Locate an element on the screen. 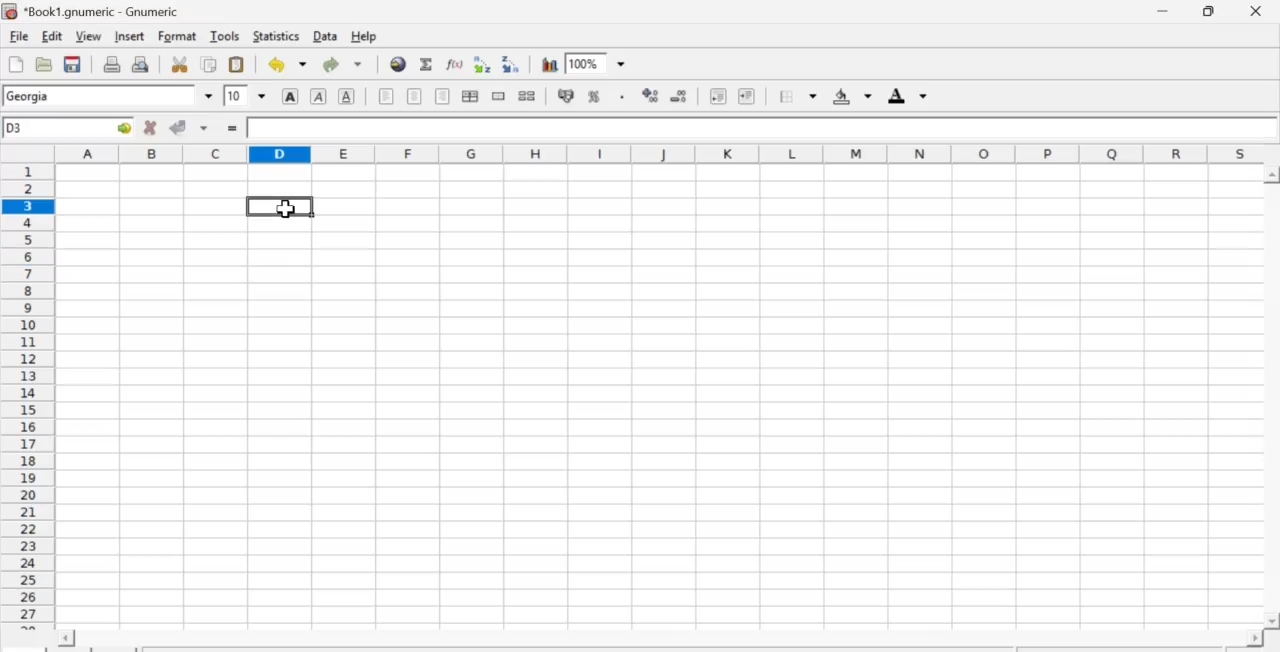  Increase number of decimals is located at coordinates (651, 95).